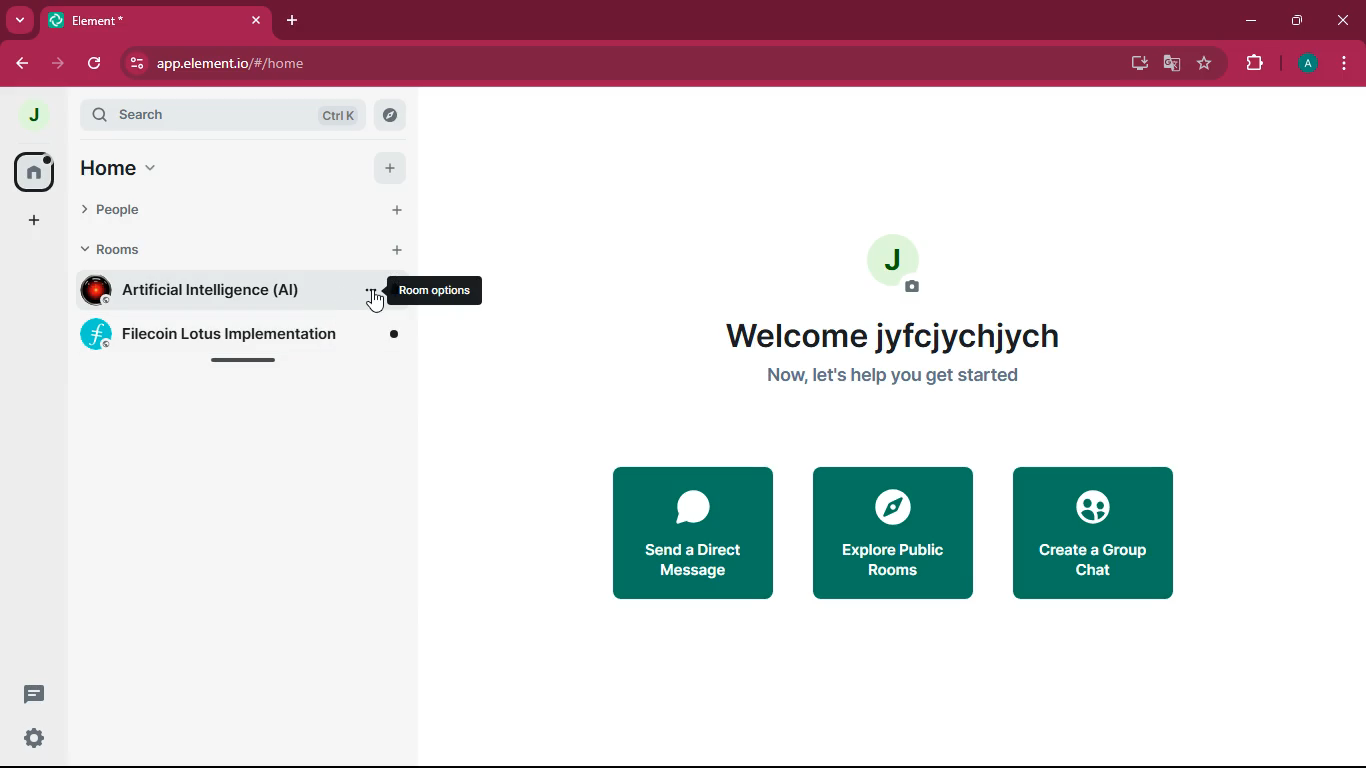 This screenshot has width=1366, height=768. What do you see at coordinates (57, 65) in the screenshot?
I see `forward` at bounding box center [57, 65].